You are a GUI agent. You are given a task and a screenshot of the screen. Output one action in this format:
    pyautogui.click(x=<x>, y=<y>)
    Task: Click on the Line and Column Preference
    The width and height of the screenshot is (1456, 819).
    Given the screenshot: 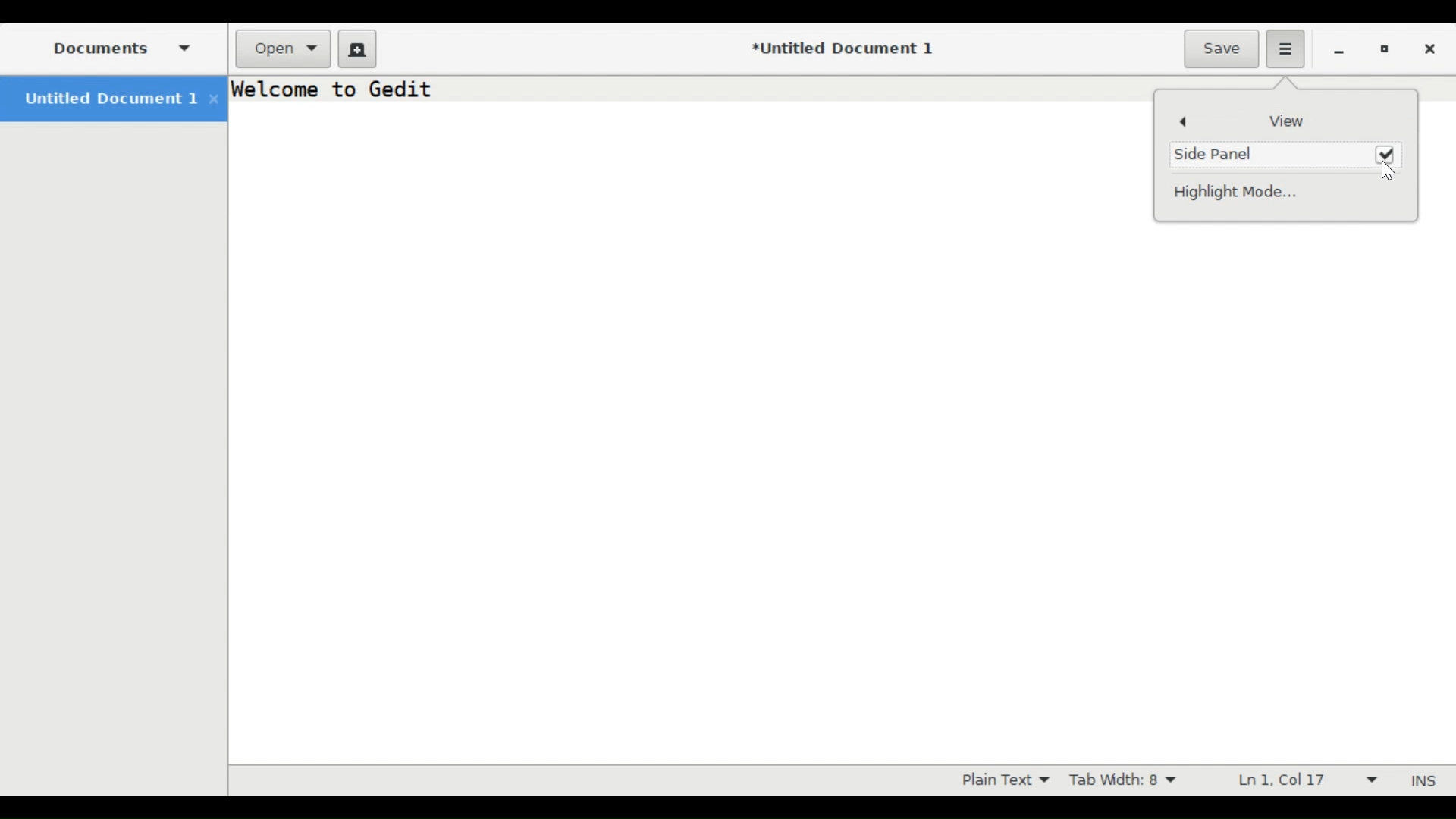 What is the action you would take?
    pyautogui.click(x=1302, y=781)
    